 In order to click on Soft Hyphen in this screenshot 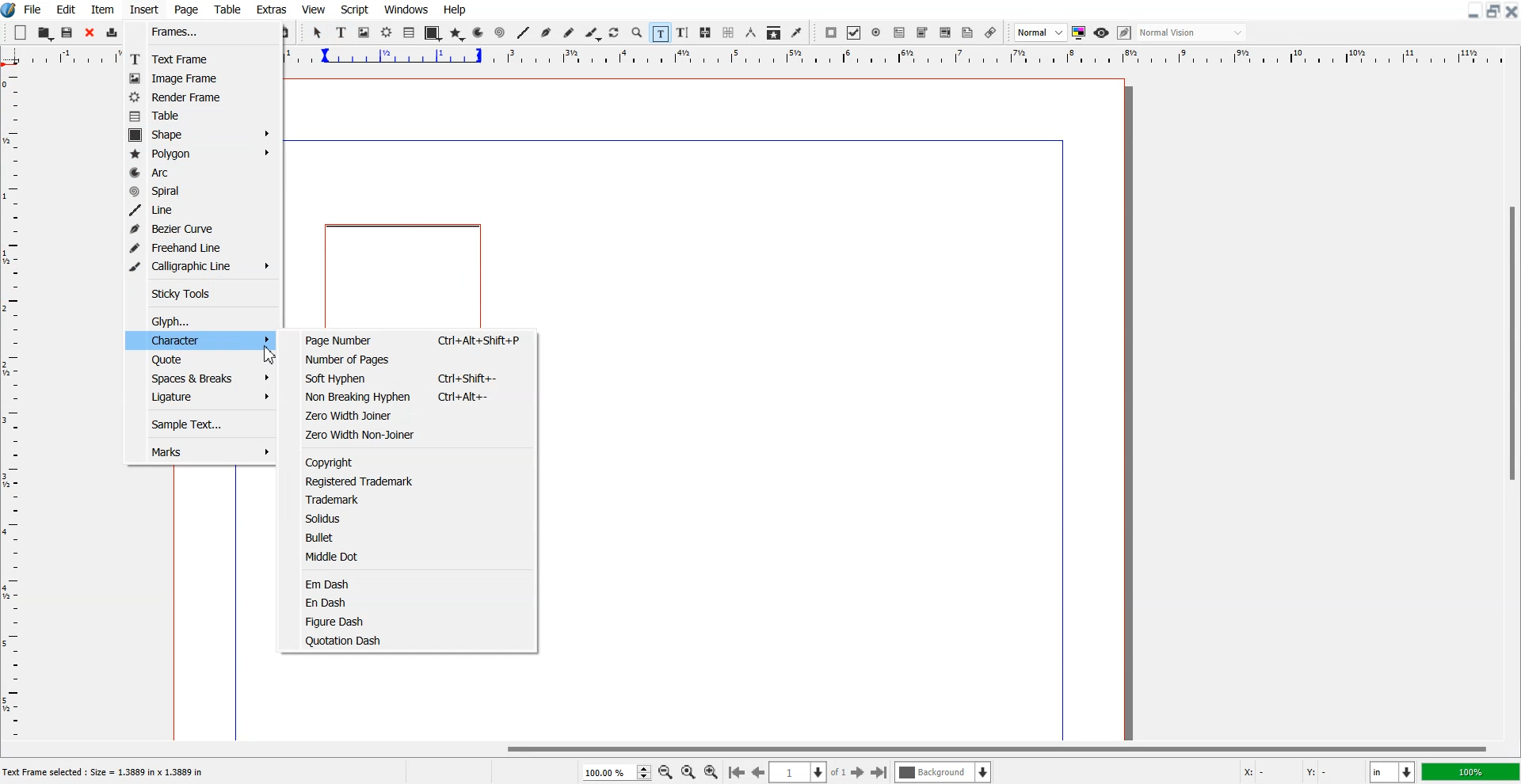, I will do `click(415, 378)`.